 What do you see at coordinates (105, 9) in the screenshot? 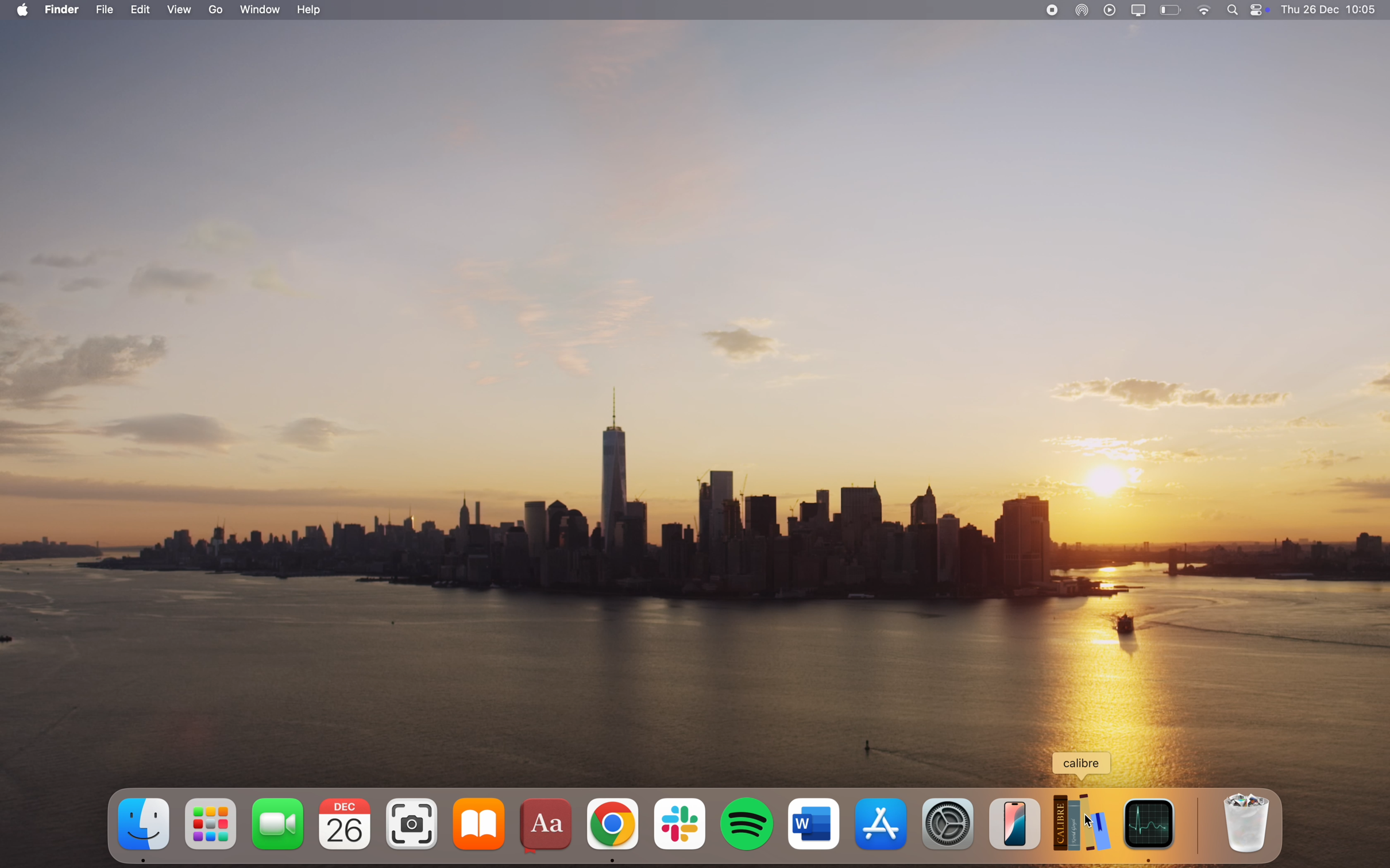
I see `File` at bounding box center [105, 9].